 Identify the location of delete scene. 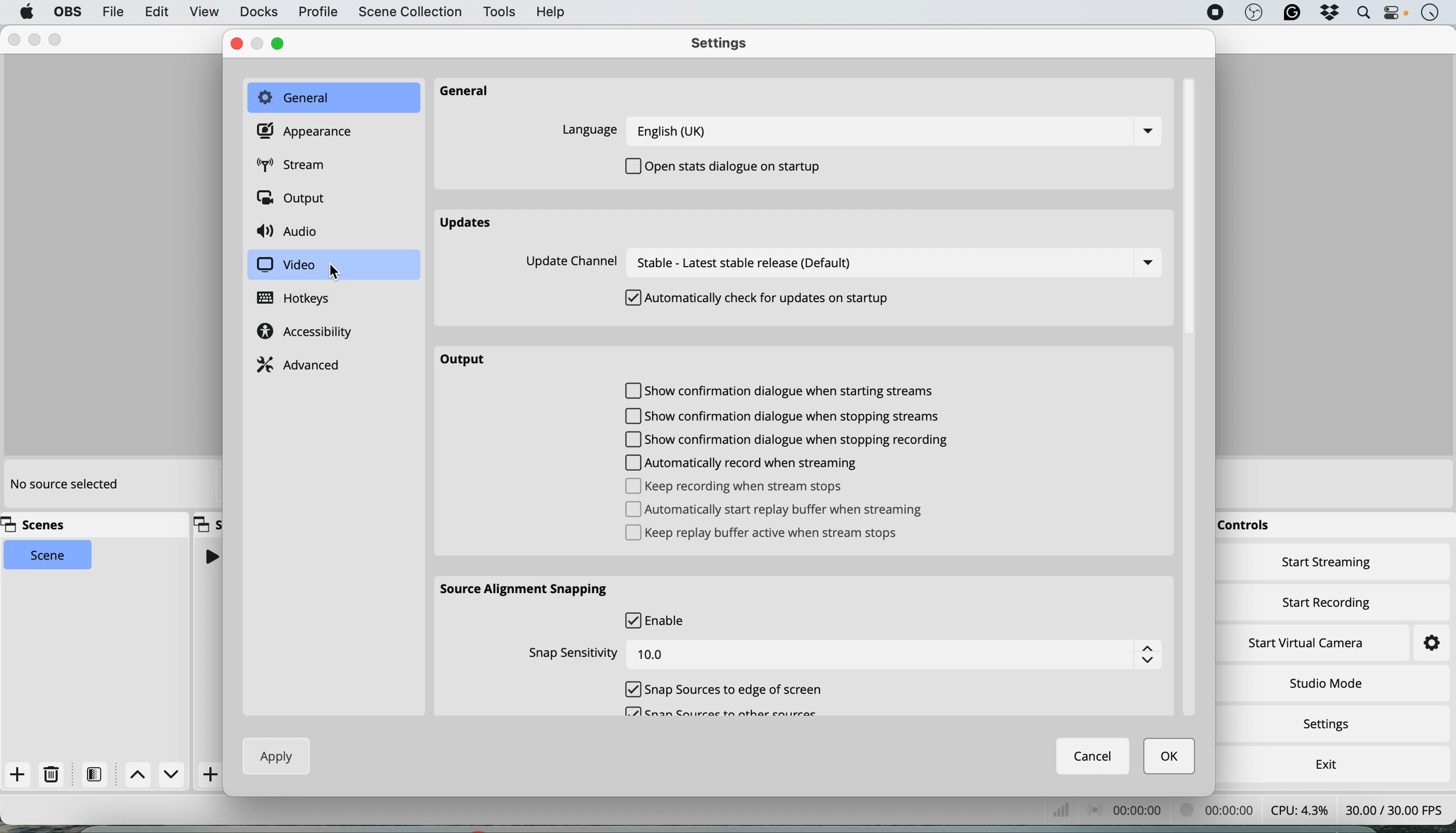
(52, 775).